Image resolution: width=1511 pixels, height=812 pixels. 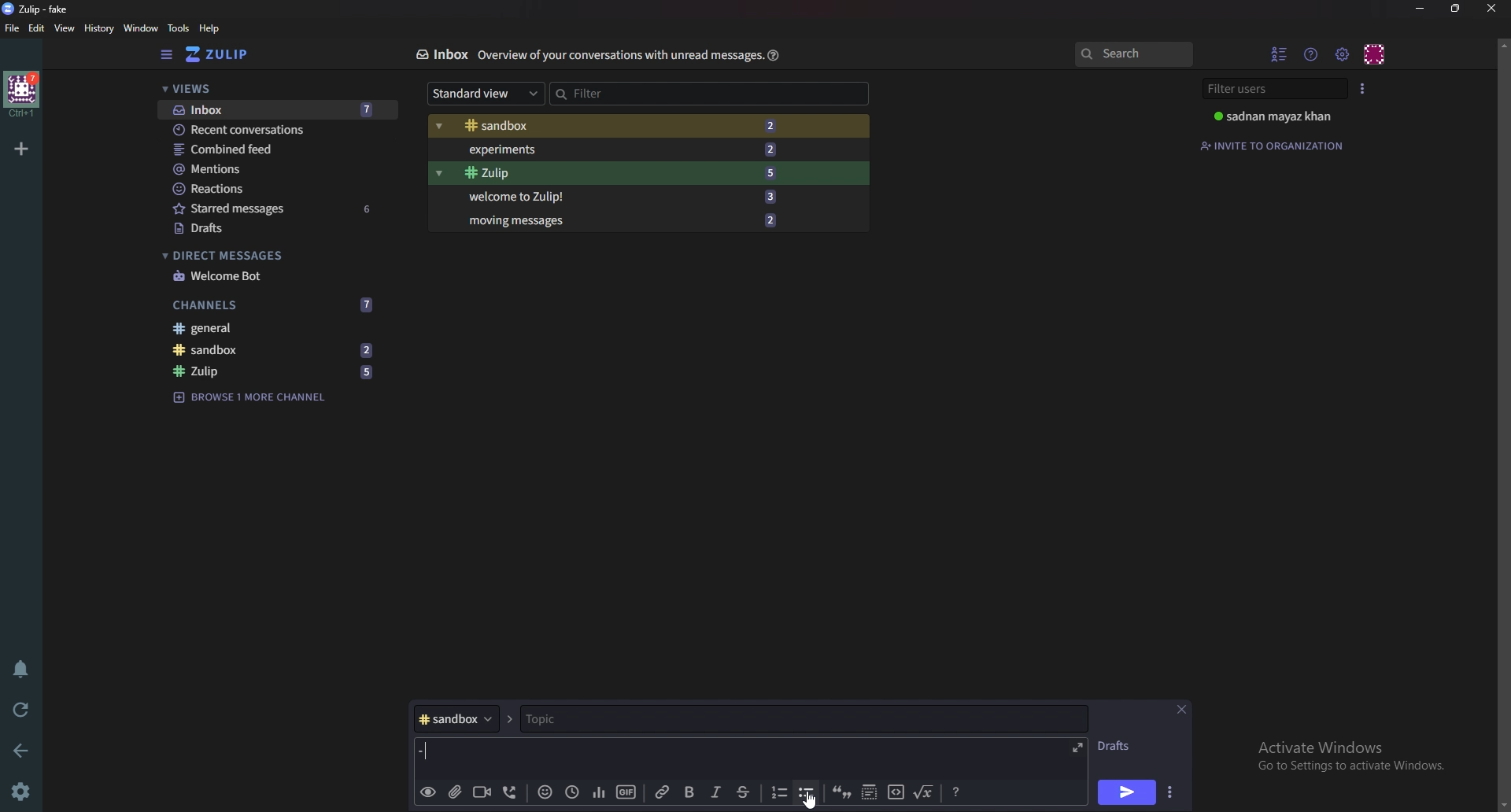 I want to click on Channels, so click(x=274, y=305).